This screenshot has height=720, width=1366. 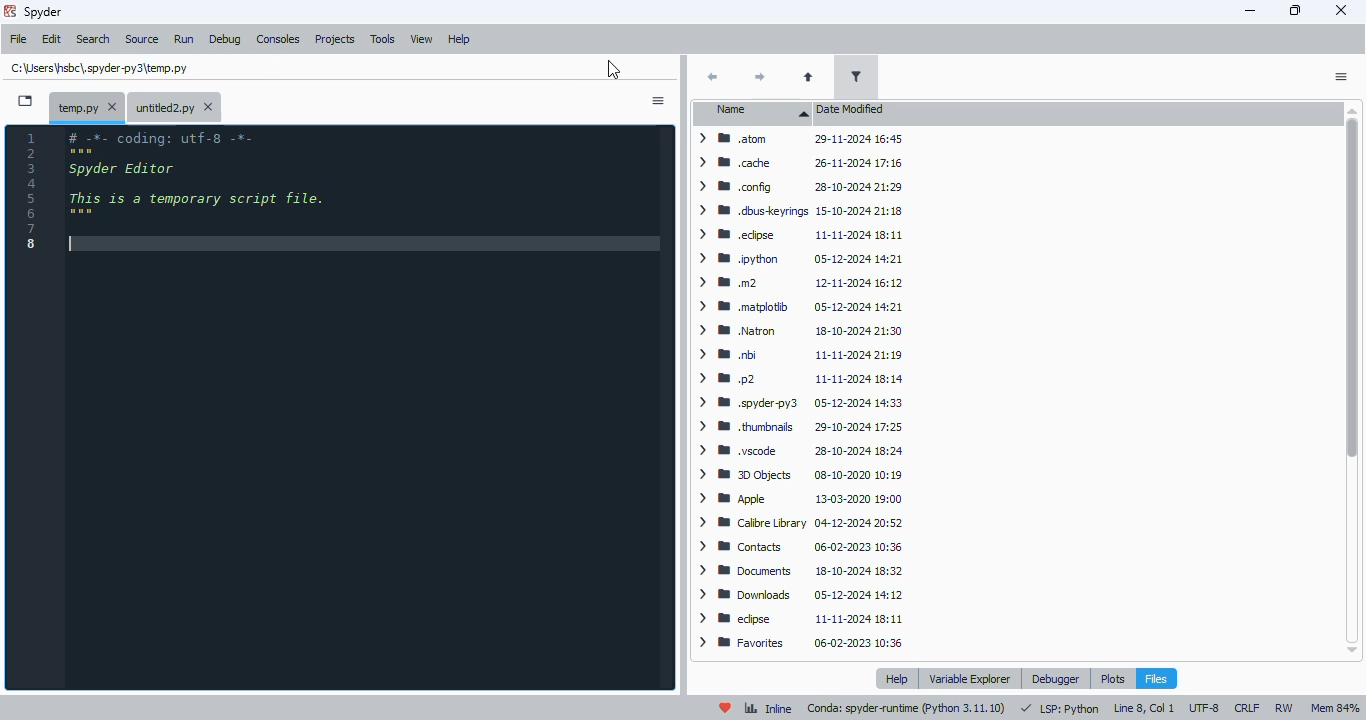 What do you see at coordinates (422, 40) in the screenshot?
I see `view` at bounding box center [422, 40].